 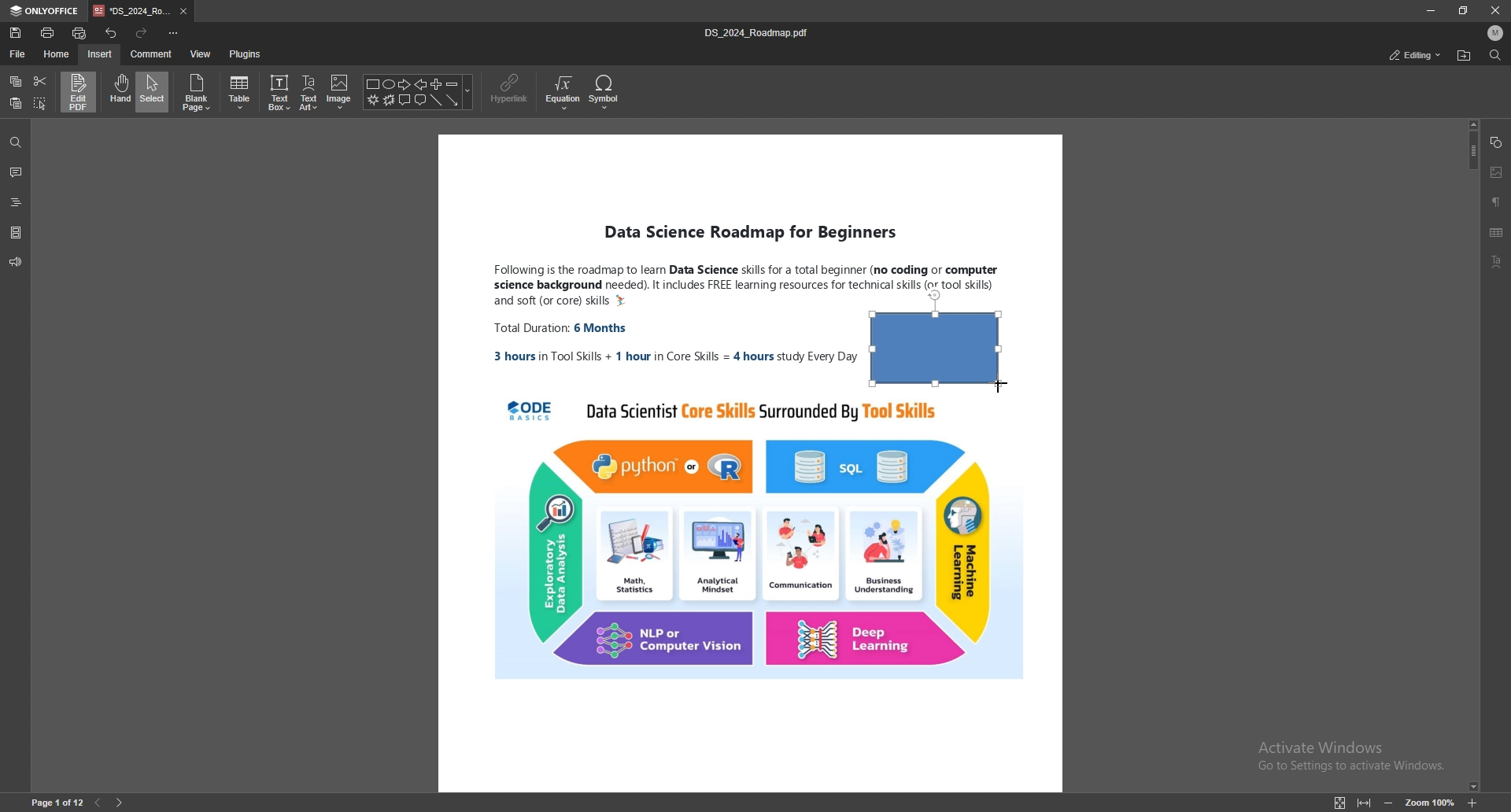 I want to click on comment, so click(x=17, y=172).